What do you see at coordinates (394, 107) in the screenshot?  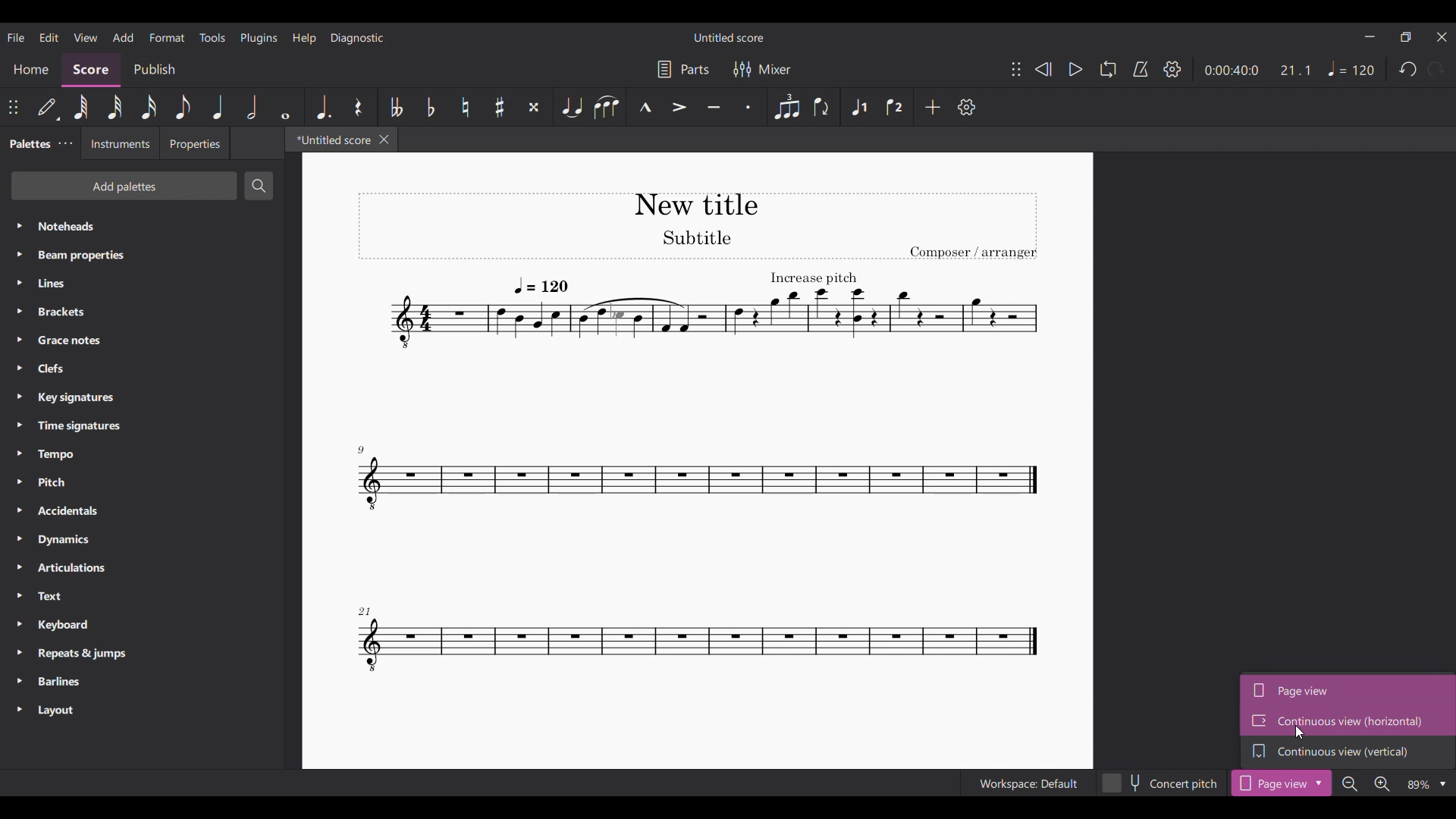 I see `Toggle double flat` at bounding box center [394, 107].